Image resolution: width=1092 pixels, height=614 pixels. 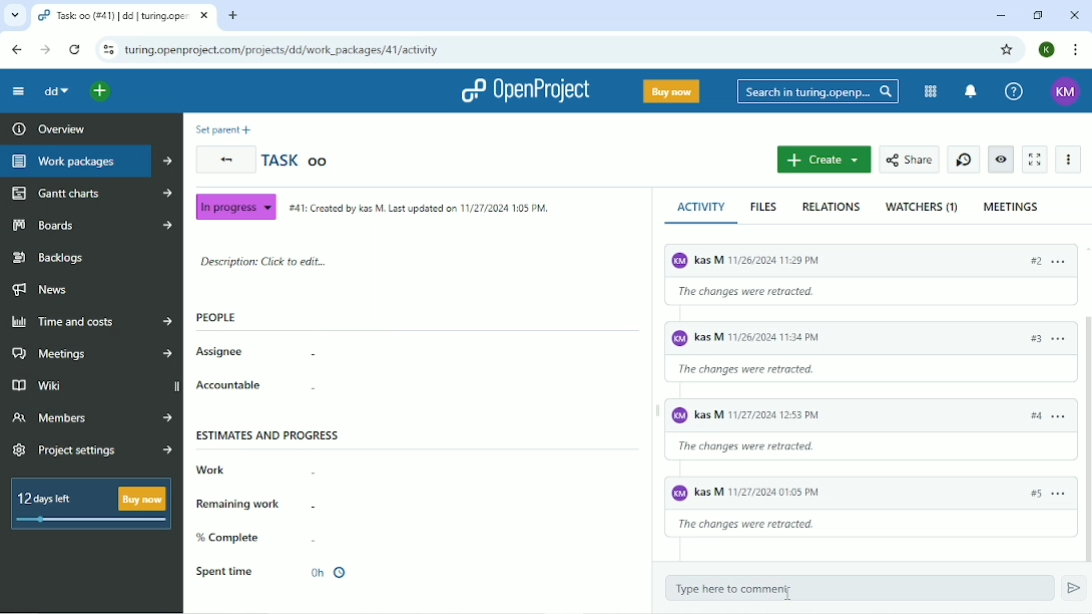 What do you see at coordinates (803, 292) in the screenshot?
I see `The changes were retracted` at bounding box center [803, 292].